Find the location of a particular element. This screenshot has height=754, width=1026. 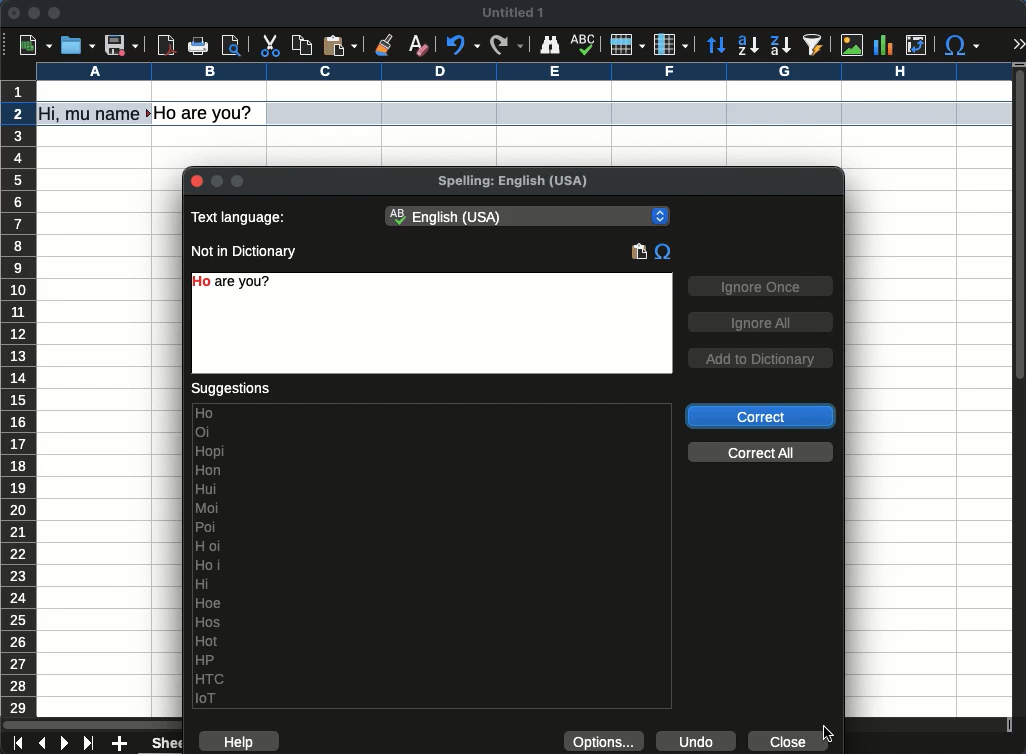

cut is located at coordinates (269, 46).